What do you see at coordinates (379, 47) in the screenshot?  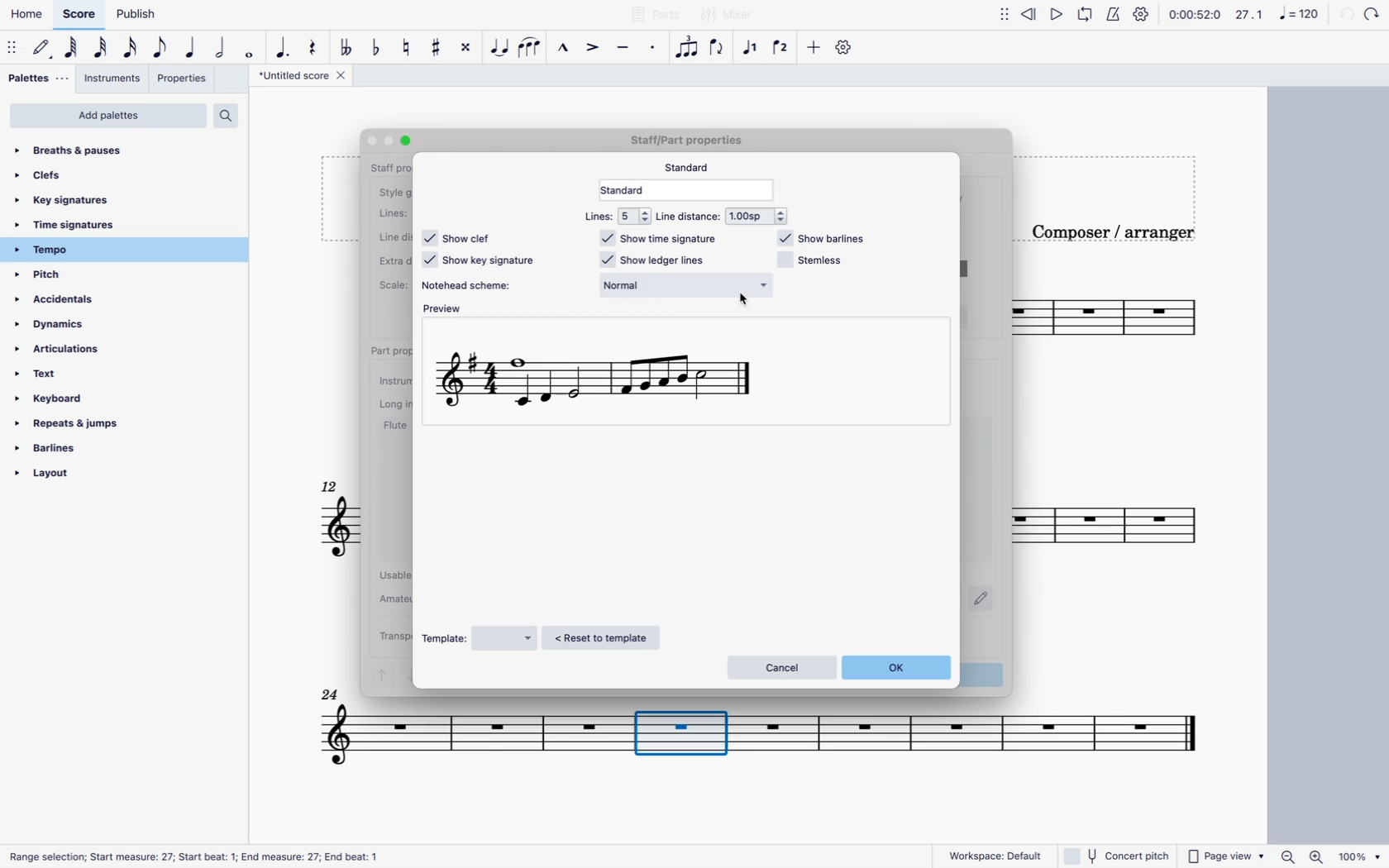 I see `toggle flat` at bounding box center [379, 47].